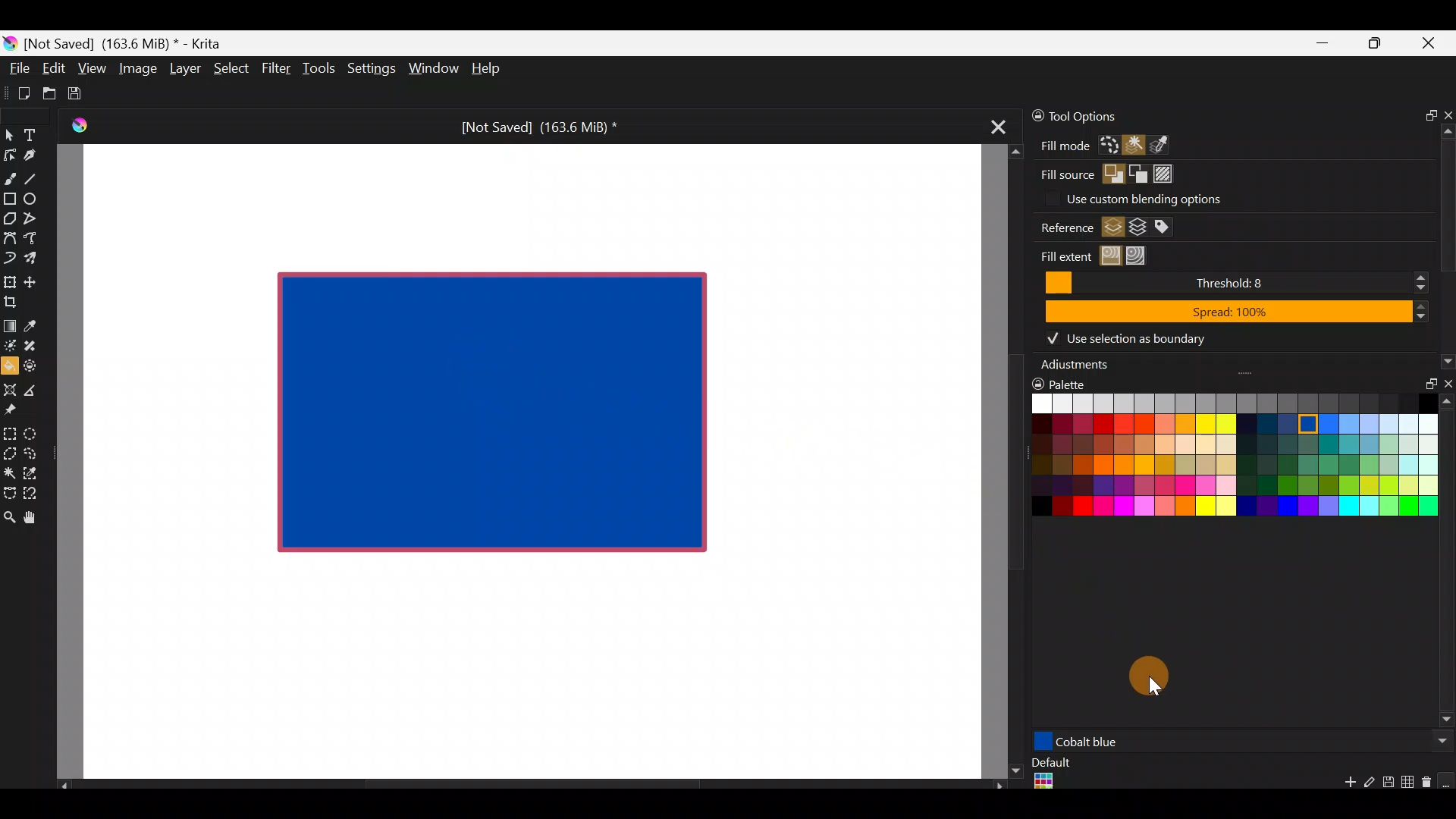 The height and width of the screenshot is (819, 1456). What do you see at coordinates (1235, 310) in the screenshot?
I see `Spread` at bounding box center [1235, 310].